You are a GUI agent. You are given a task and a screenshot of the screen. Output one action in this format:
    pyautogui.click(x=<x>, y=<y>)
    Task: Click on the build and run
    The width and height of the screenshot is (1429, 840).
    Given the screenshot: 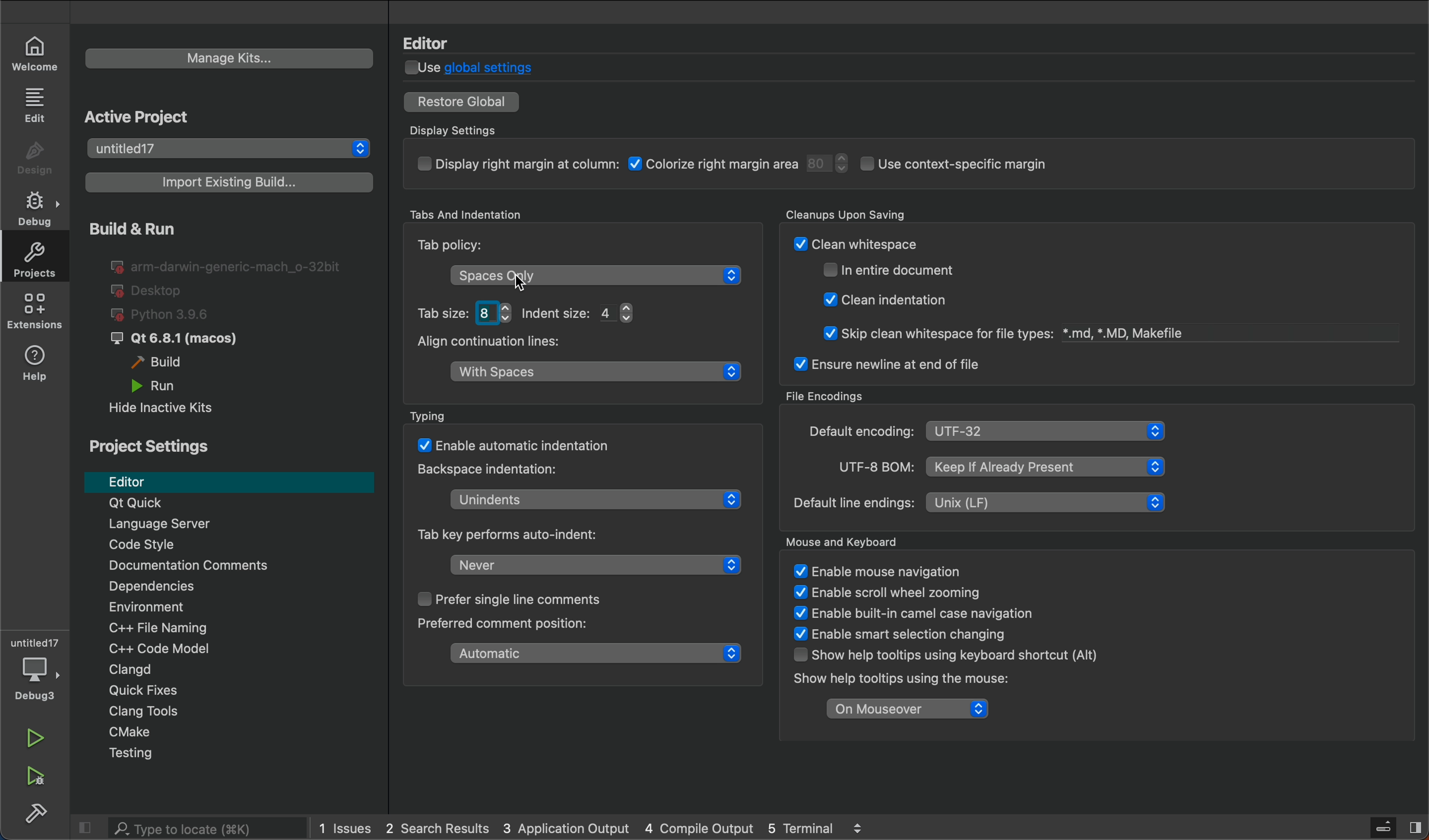 What is the action you would take?
    pyautogui.click(x=129, y=228)
    